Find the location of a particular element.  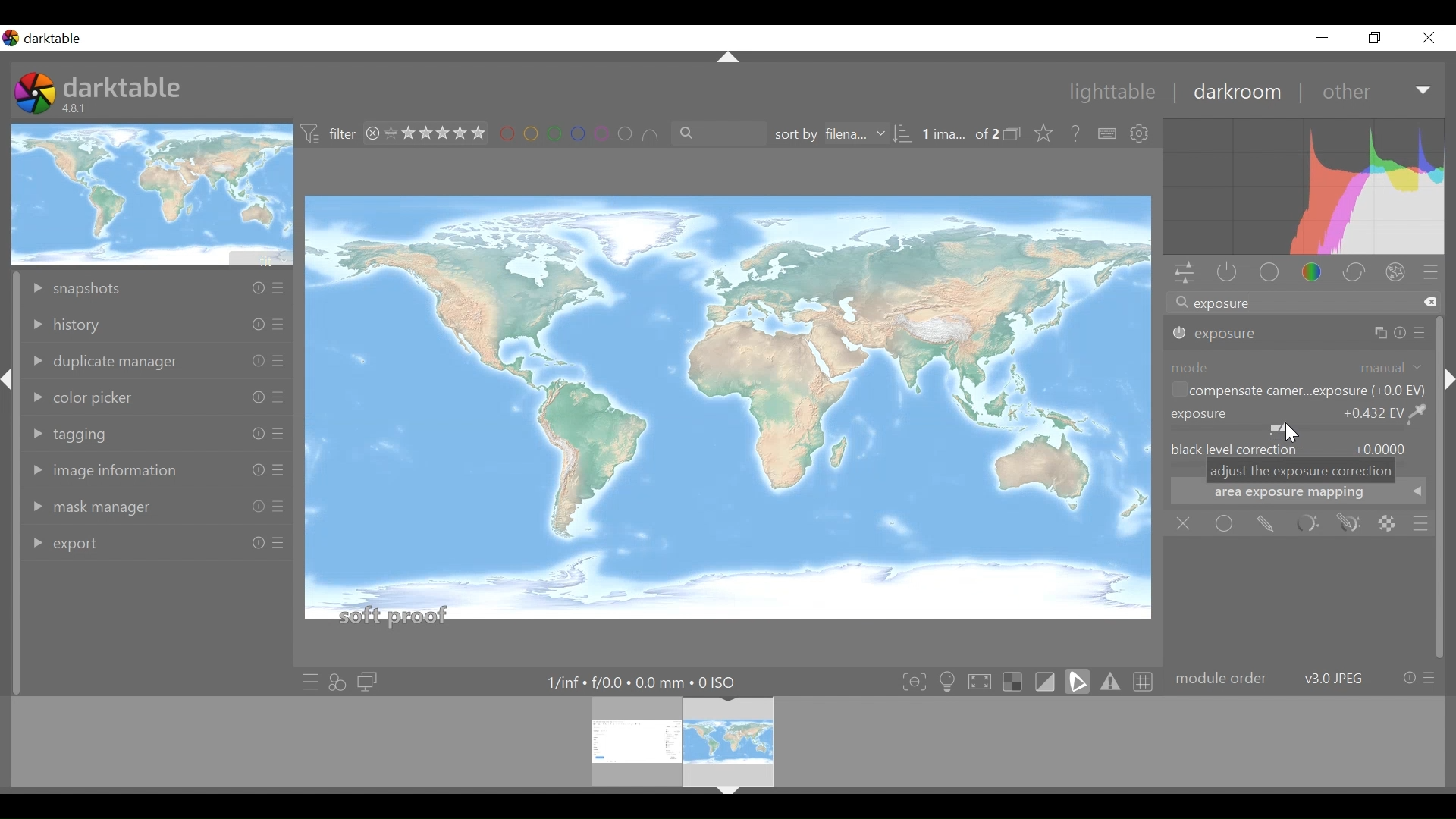

 is located at coordinates (278, 399).